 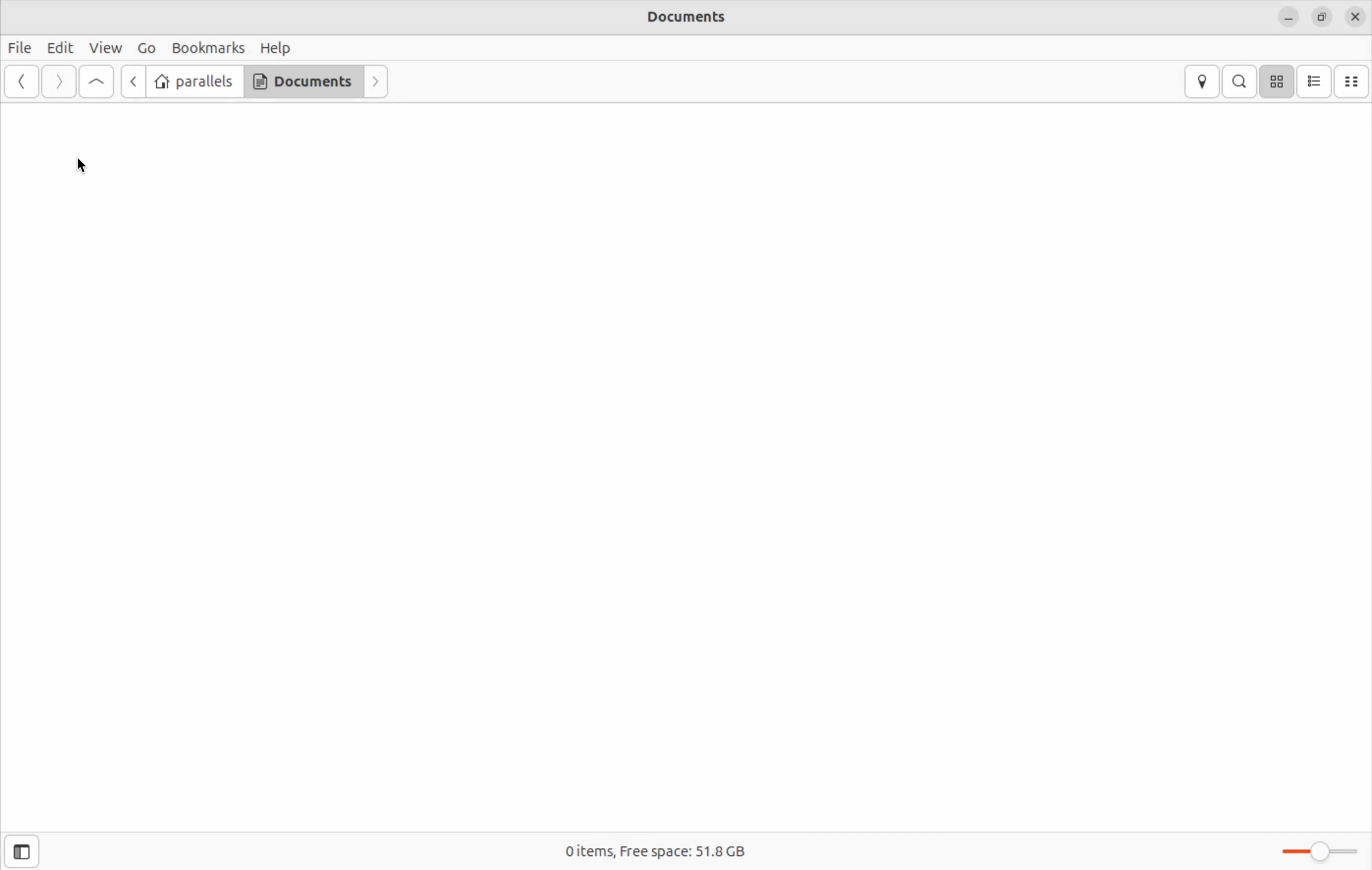 I want to click on Documents, so click(x=690, y=19).